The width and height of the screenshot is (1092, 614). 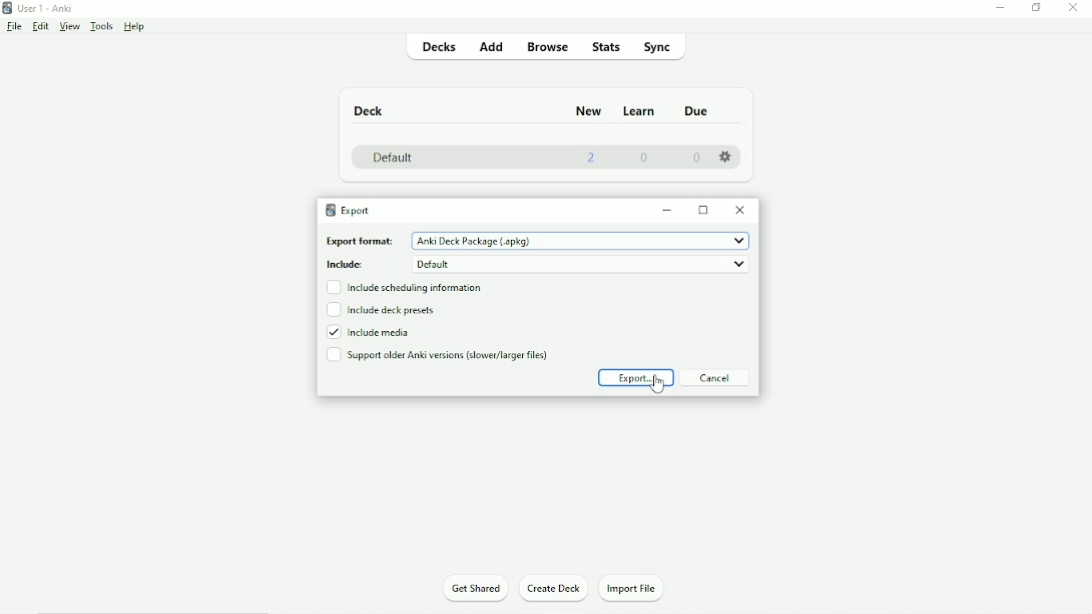 I want to click on Create Deck, so click(x=553, y=587).